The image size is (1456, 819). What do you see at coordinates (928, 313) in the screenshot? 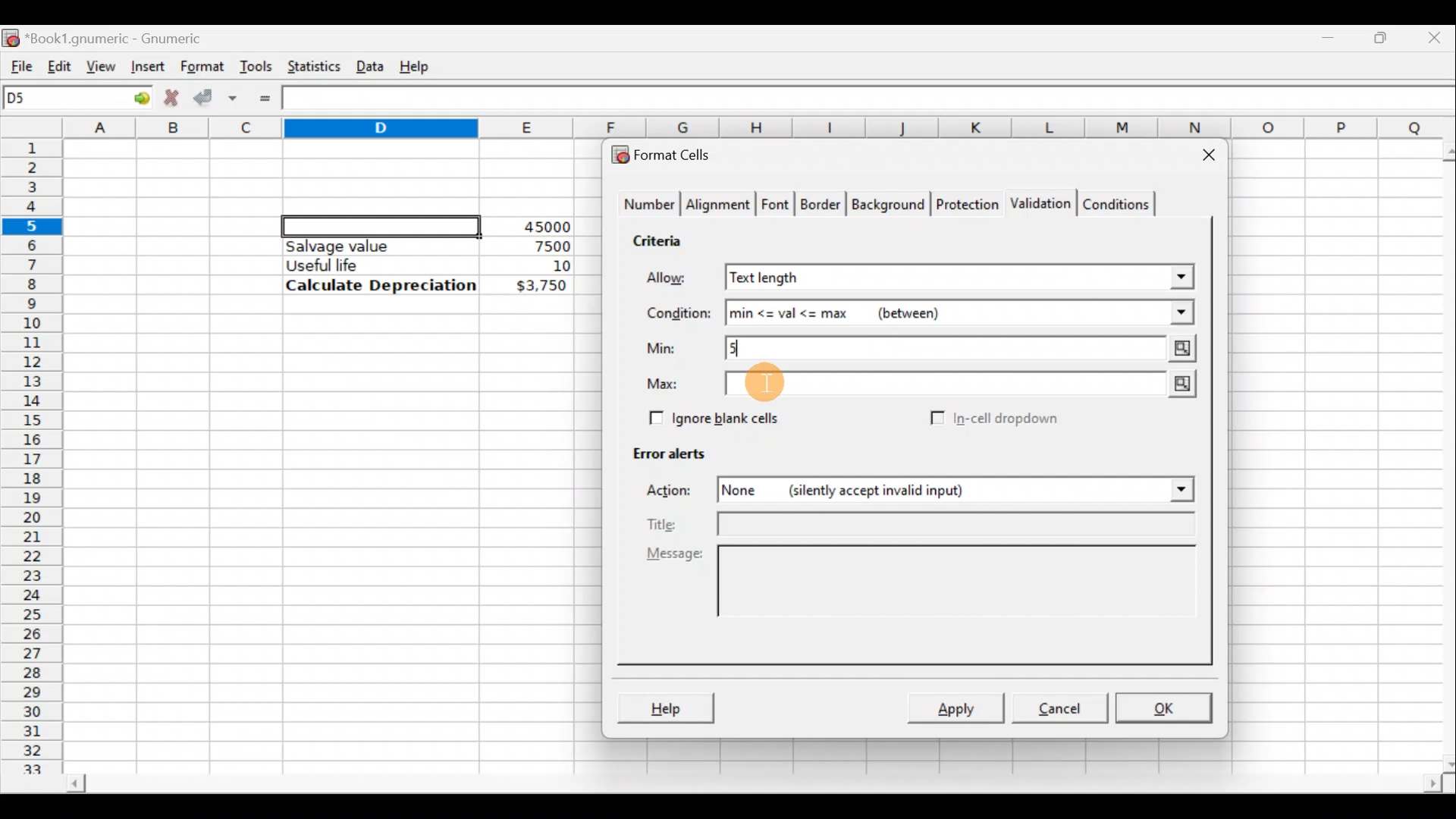
I see `min<=val<=max (between)` at bounding box center [928, 313].